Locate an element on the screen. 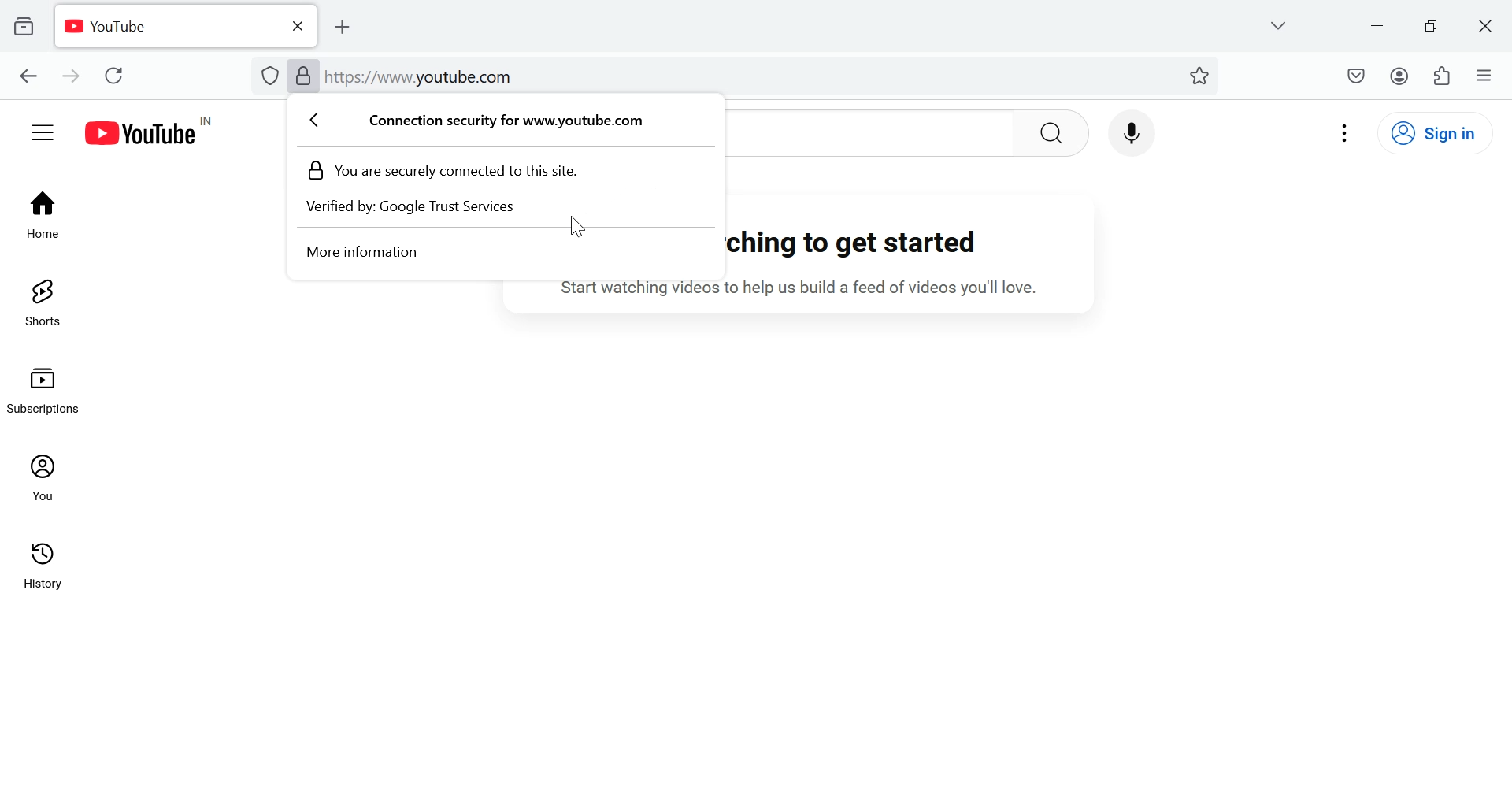 The image size is (1512, 794). History is located at coordinates (45, 573).